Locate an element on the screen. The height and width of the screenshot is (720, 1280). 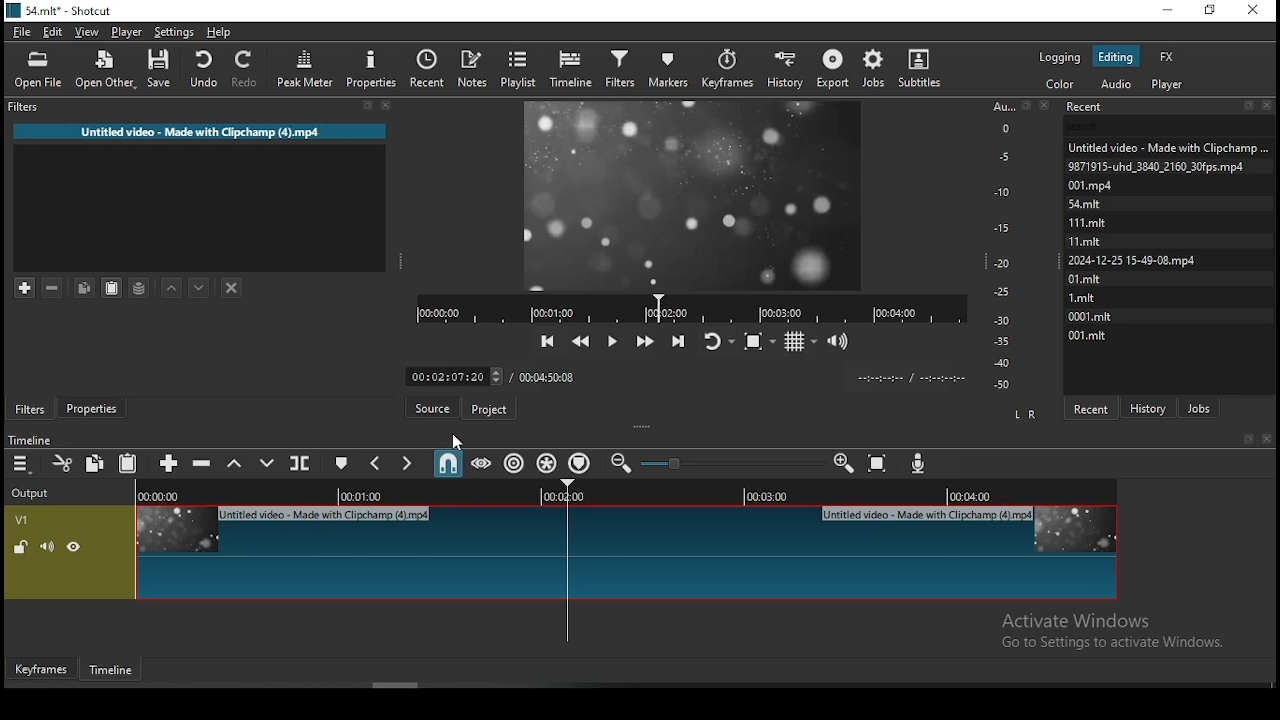
overwrite is located at coordinates (270, 464).